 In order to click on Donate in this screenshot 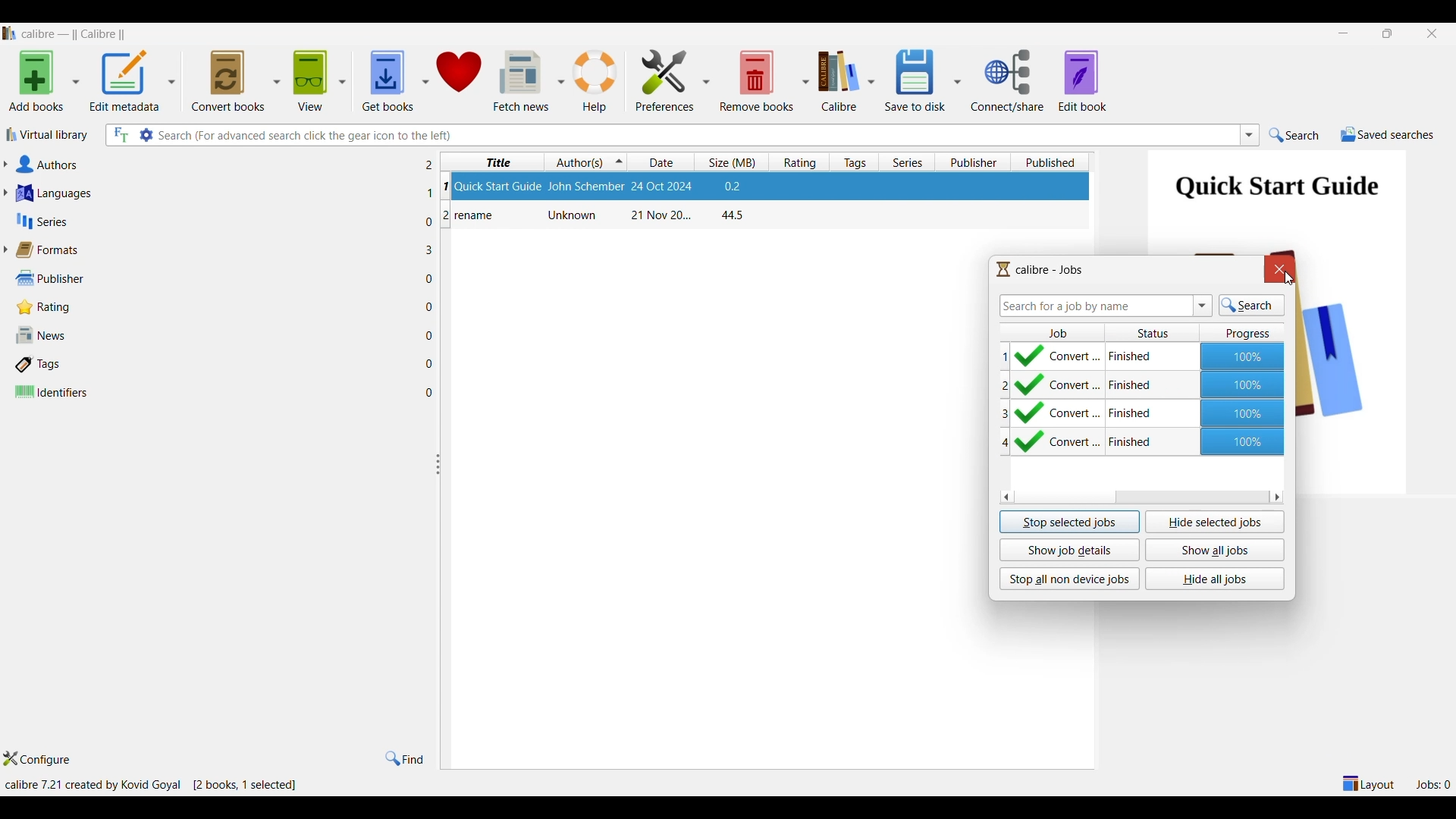, I will do `click(460, 80)`.